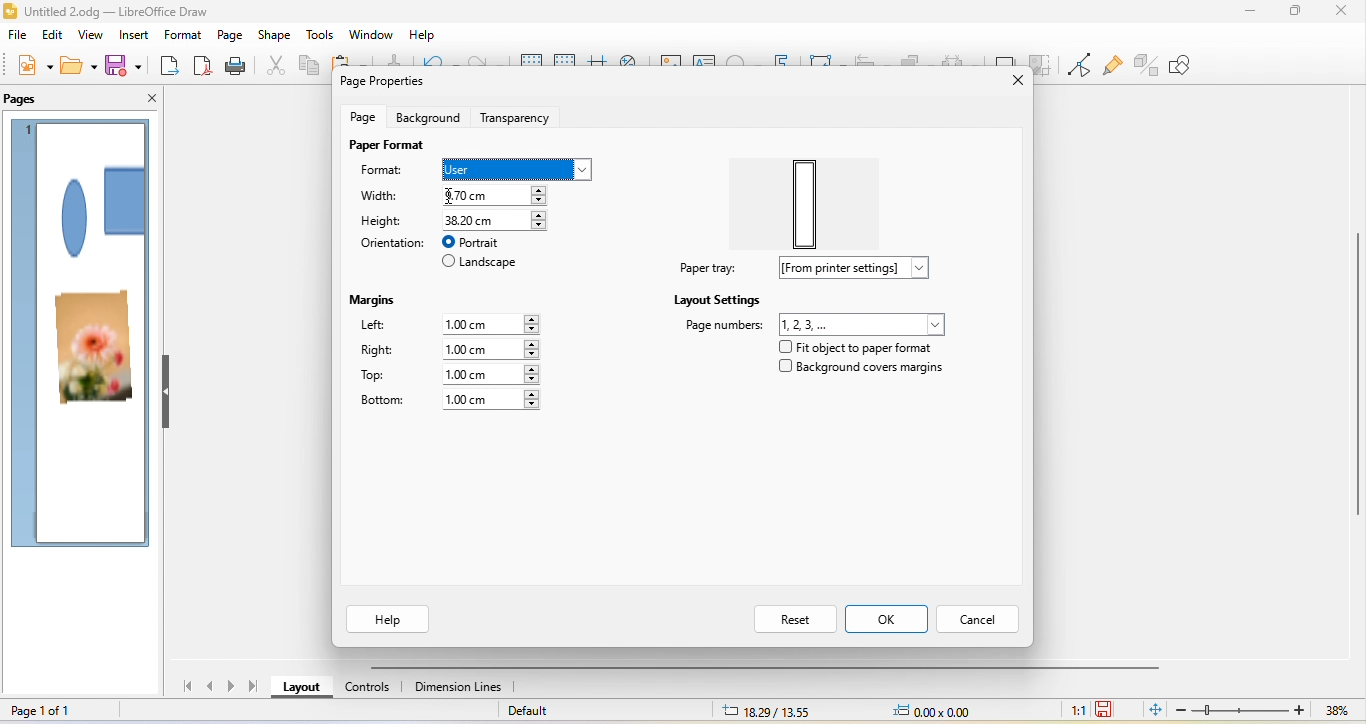 This screenshot has height=724, width=1366. Describe the element at coordinates (520, 167) in the screenshot. I see `select user` at that location.